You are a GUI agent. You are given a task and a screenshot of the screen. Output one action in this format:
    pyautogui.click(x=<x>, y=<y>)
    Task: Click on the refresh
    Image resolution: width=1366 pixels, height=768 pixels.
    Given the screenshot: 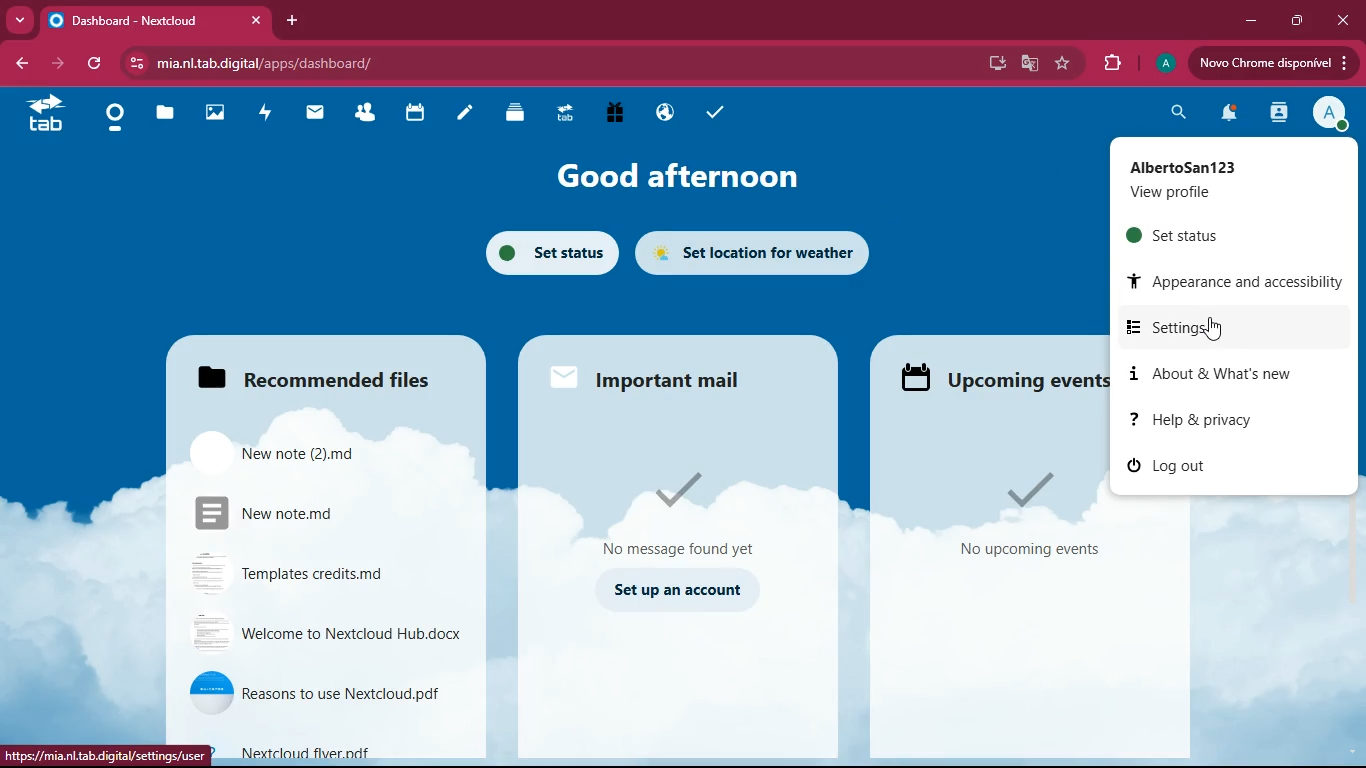 What is the action you would take?
    pyautogui.click(x=88, y=63)
    